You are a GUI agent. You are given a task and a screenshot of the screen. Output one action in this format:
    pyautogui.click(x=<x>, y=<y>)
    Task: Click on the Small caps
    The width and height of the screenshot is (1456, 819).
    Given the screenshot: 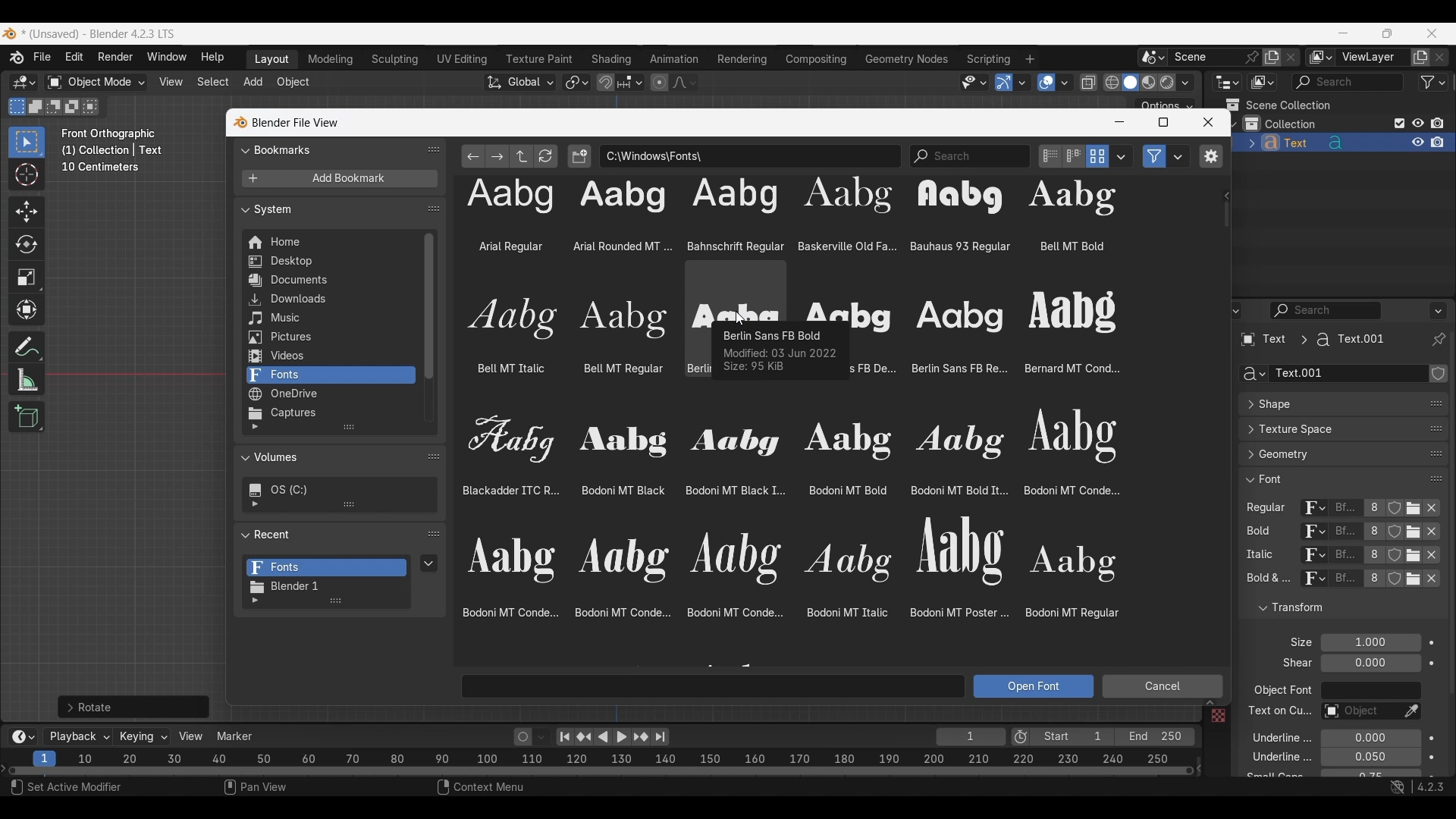 What is the action you would take?
    pyautogui.click(x=1370, y=773)
    